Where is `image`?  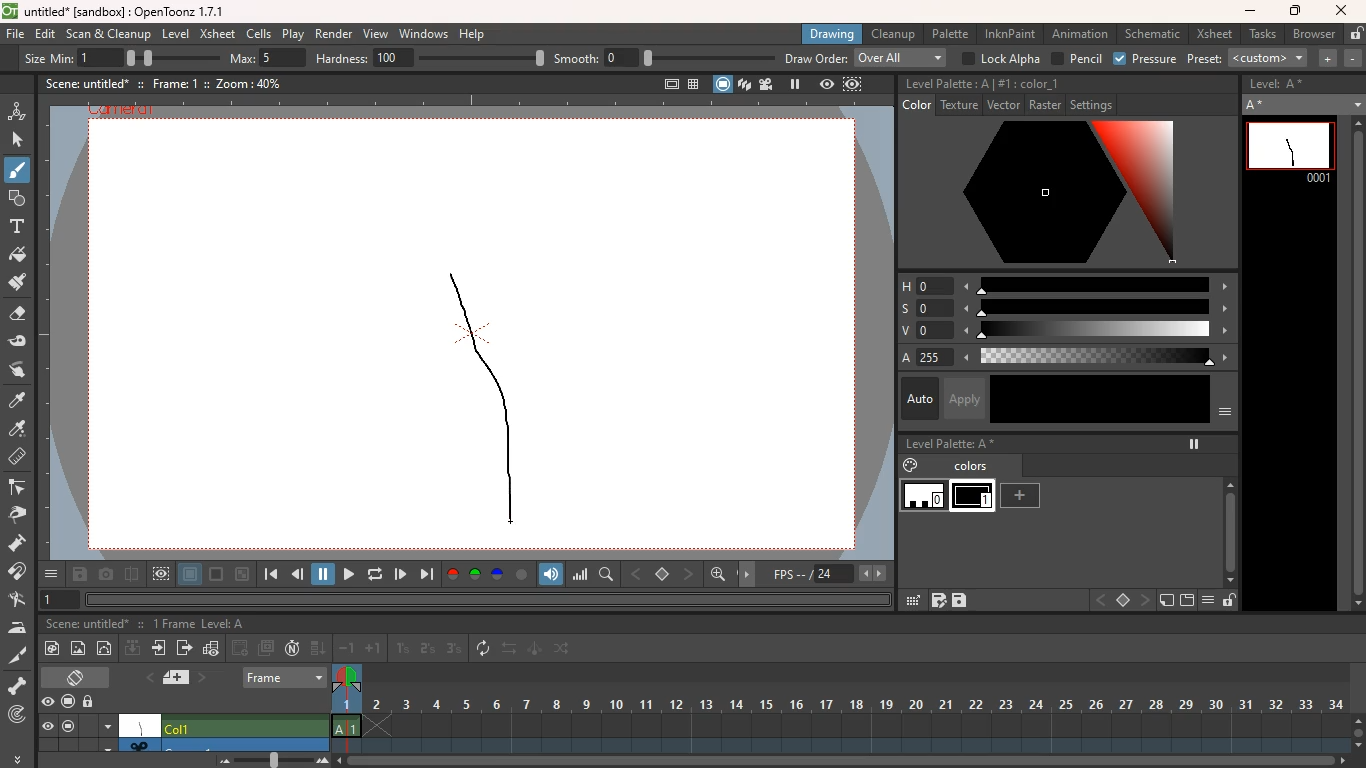
image is located at coordinates (79, 647).